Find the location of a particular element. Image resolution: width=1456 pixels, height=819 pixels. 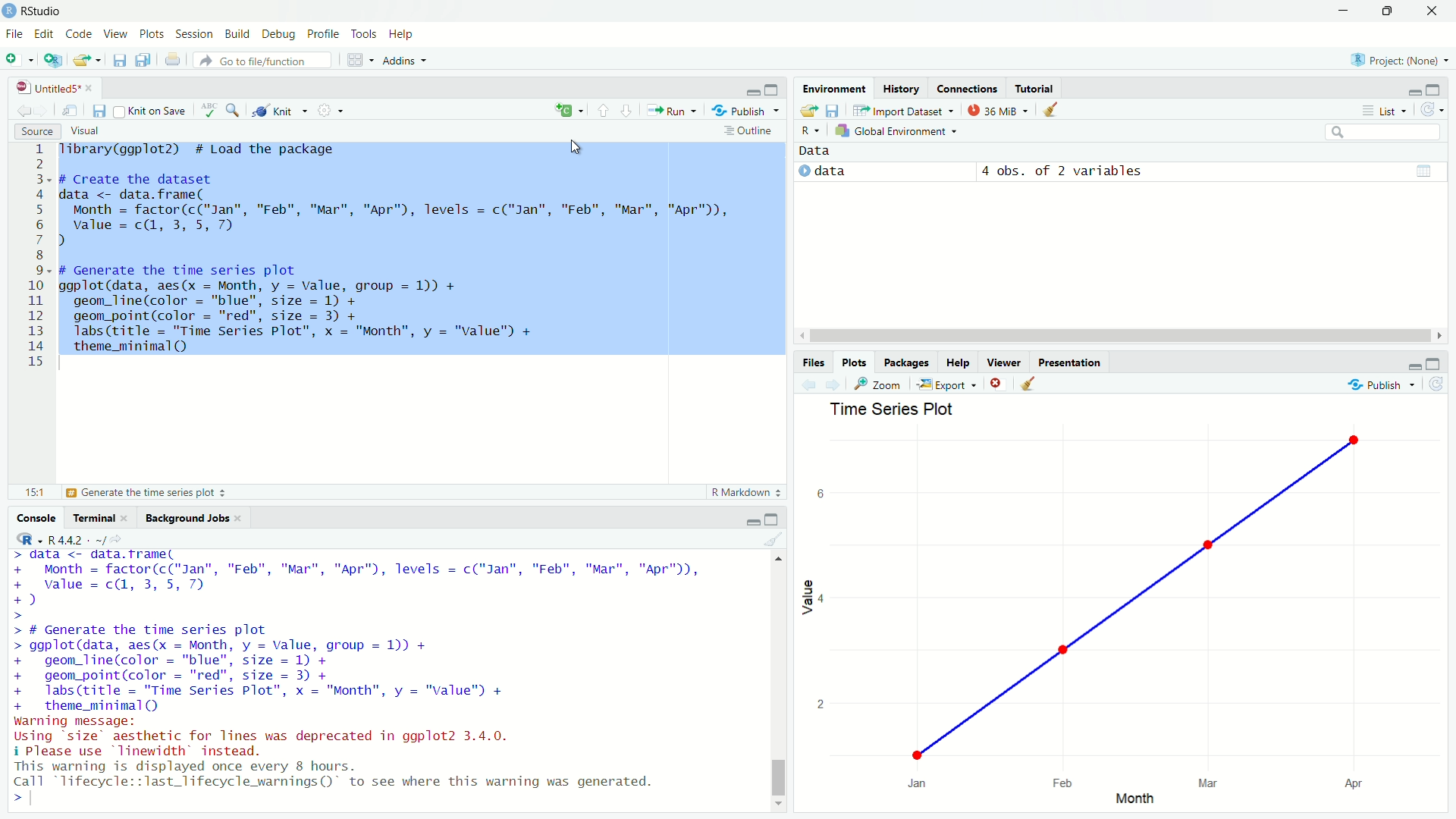

find/replace is located at coordinates (234, 113).